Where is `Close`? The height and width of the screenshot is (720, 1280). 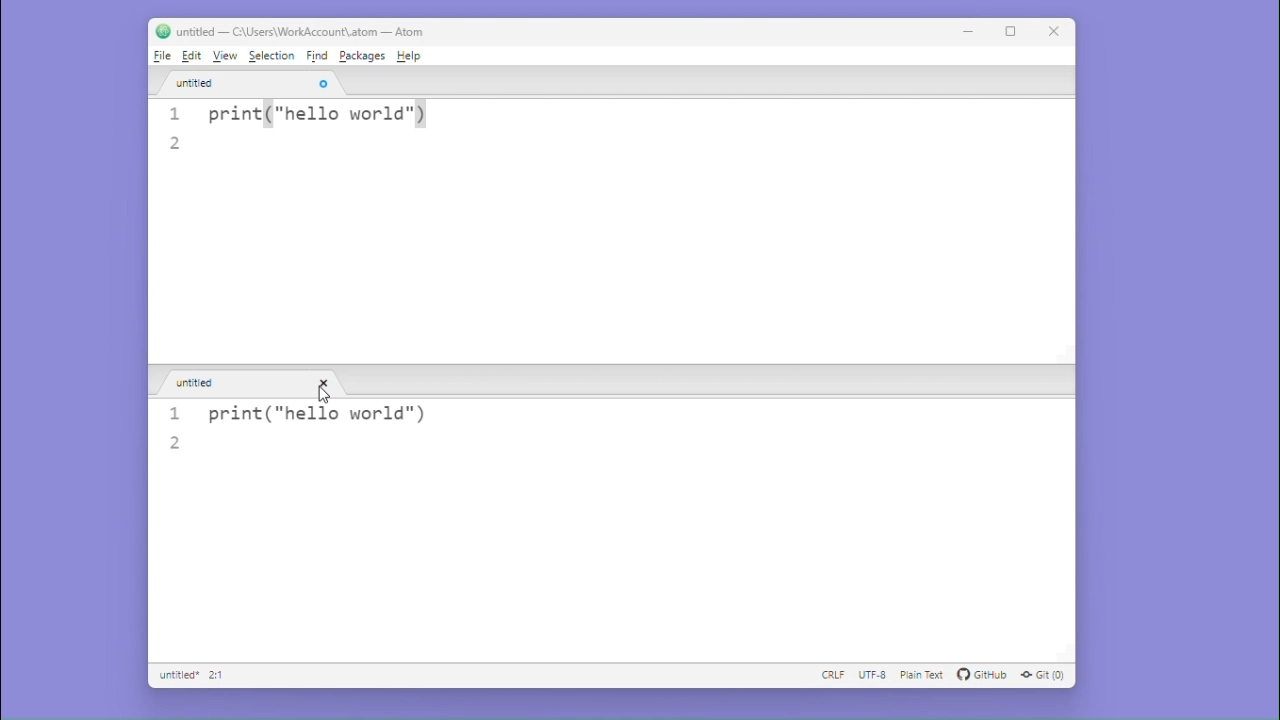 Close is located at coordinates (1055, 30).